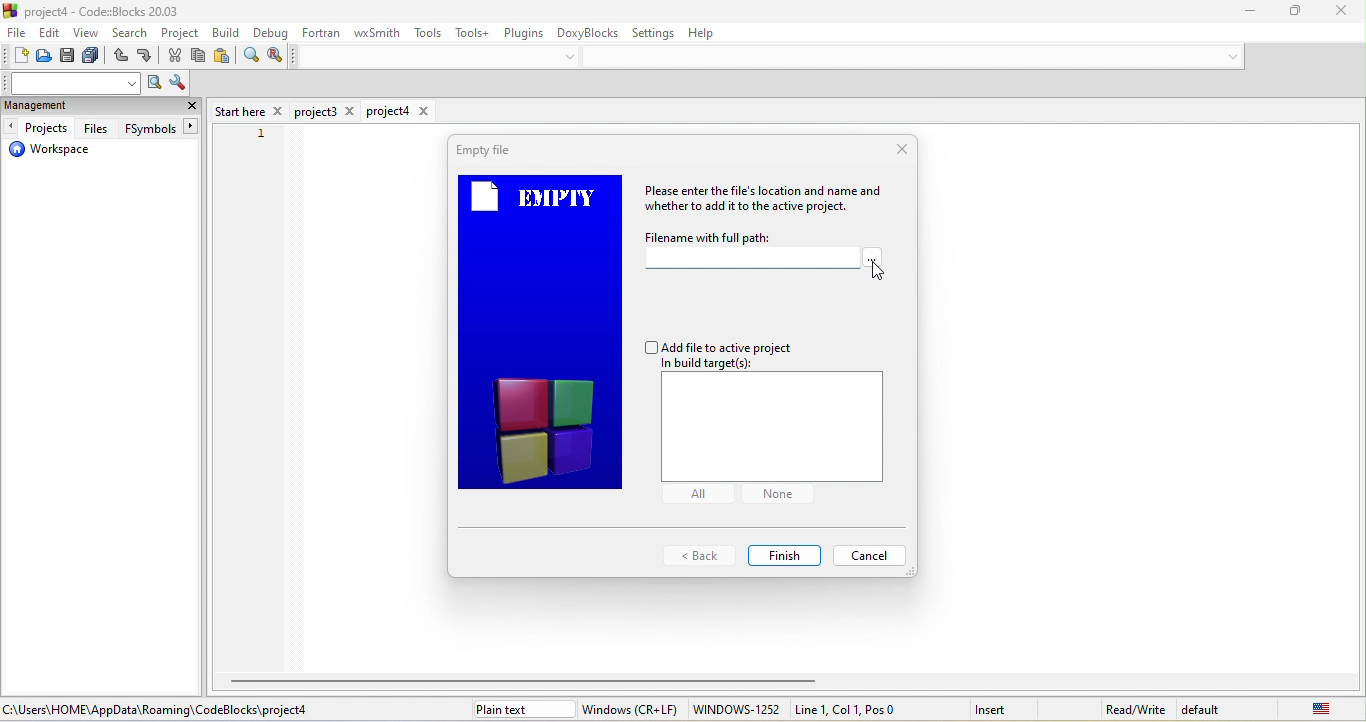 This screenshot has height=722, width=1366. What do you see at coordinates (39, 128) in the screenshot?
I see `projects` at bounding box center [39, 128].